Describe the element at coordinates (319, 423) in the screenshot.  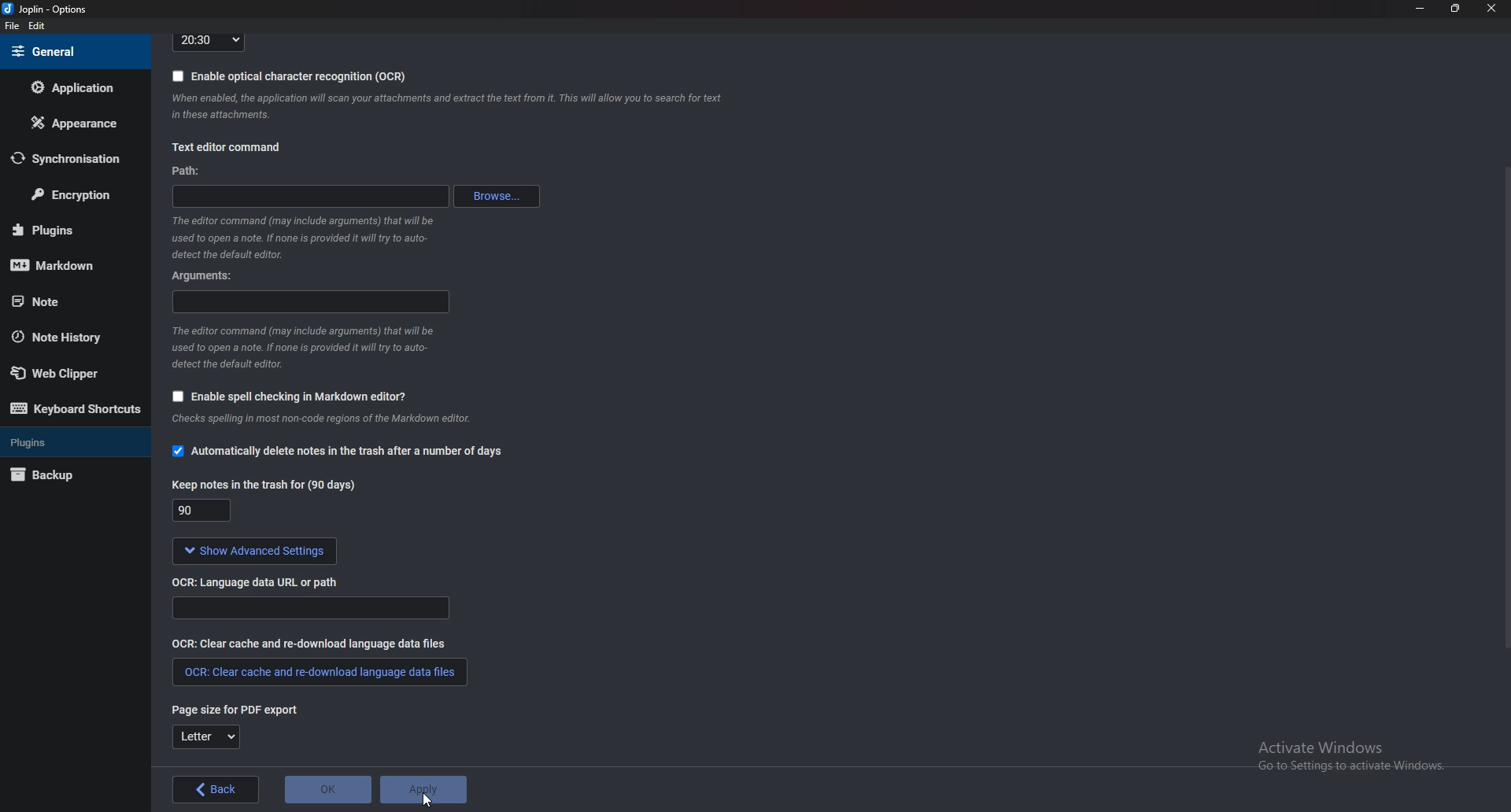
I see `Info on spell checking` at that location.